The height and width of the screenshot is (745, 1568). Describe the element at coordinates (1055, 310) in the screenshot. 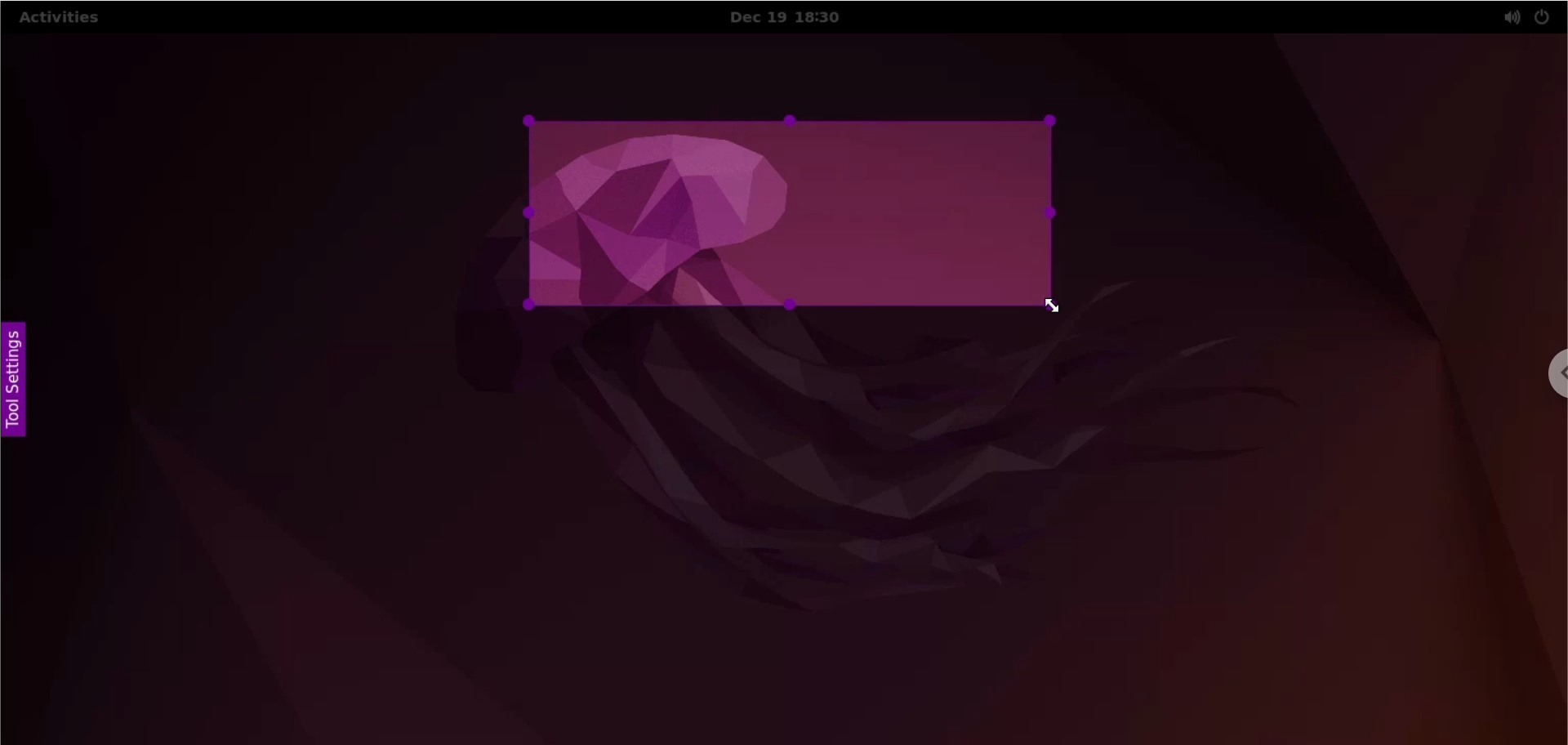

I see `cursor` at that location.